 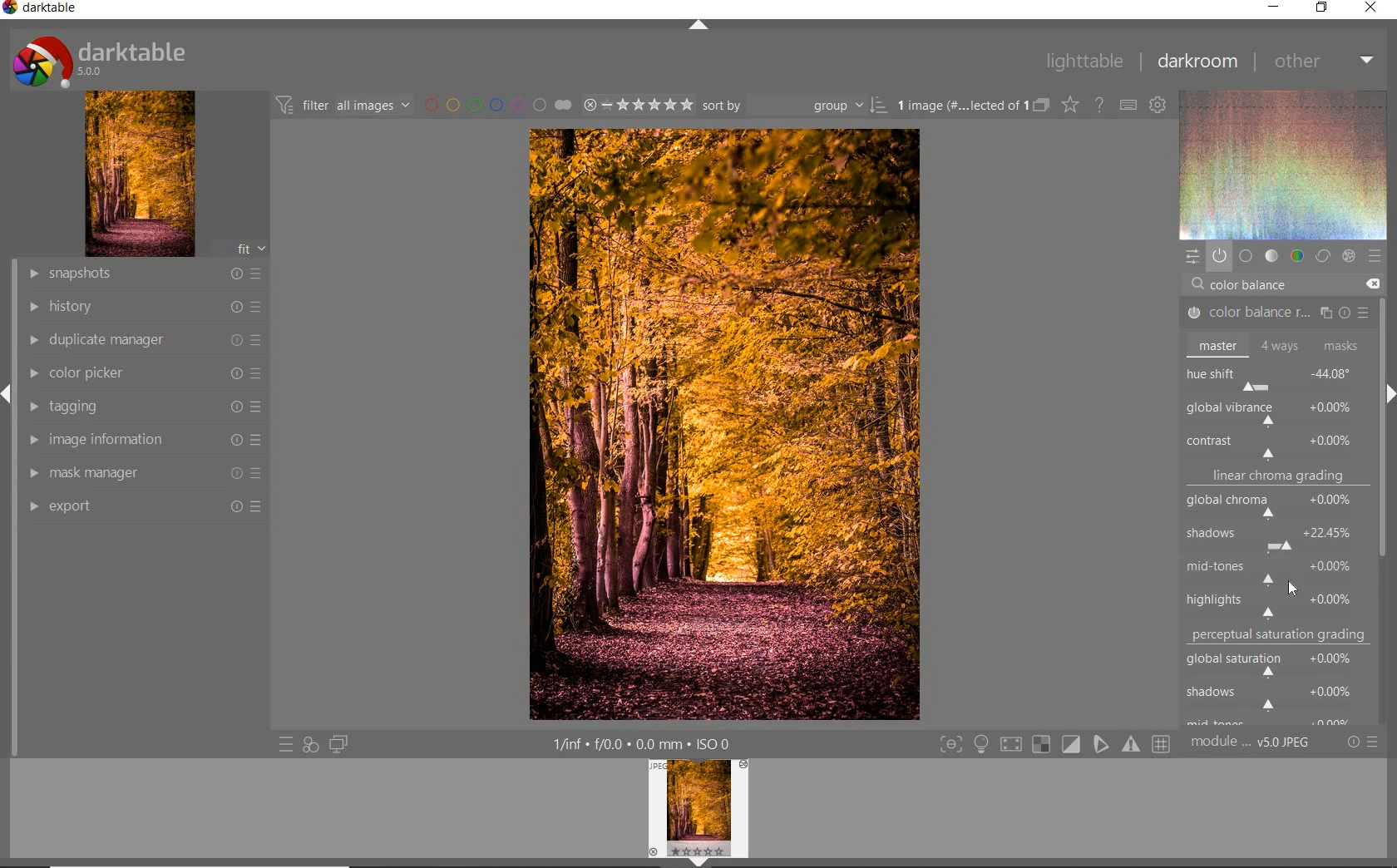 I want to click on minimize, so click(x=1275, y=6).